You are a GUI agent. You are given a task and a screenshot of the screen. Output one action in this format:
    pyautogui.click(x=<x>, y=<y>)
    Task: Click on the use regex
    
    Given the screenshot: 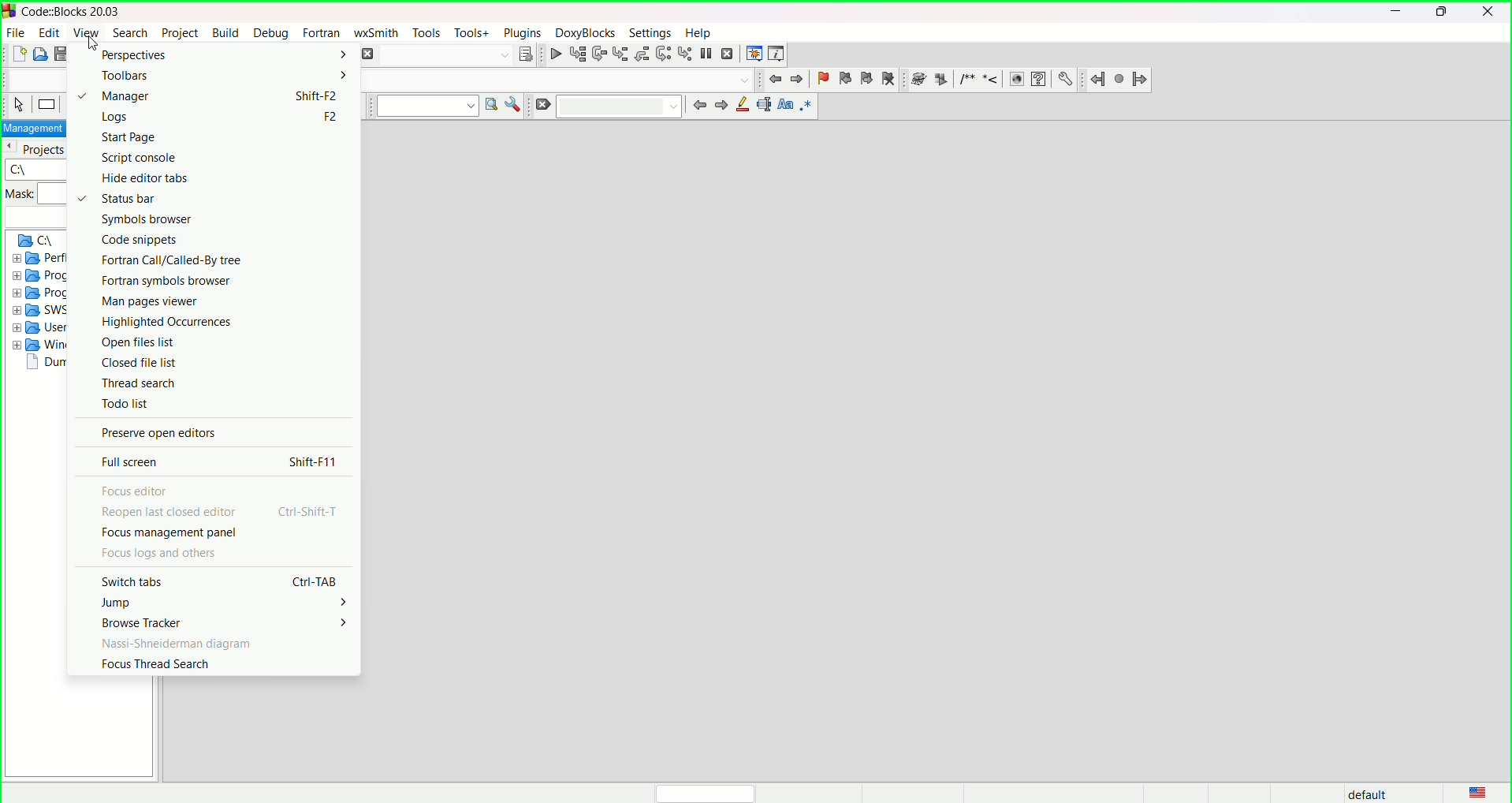 What is the action you would take?
    pyautogui.click(x=809, y=106)
    